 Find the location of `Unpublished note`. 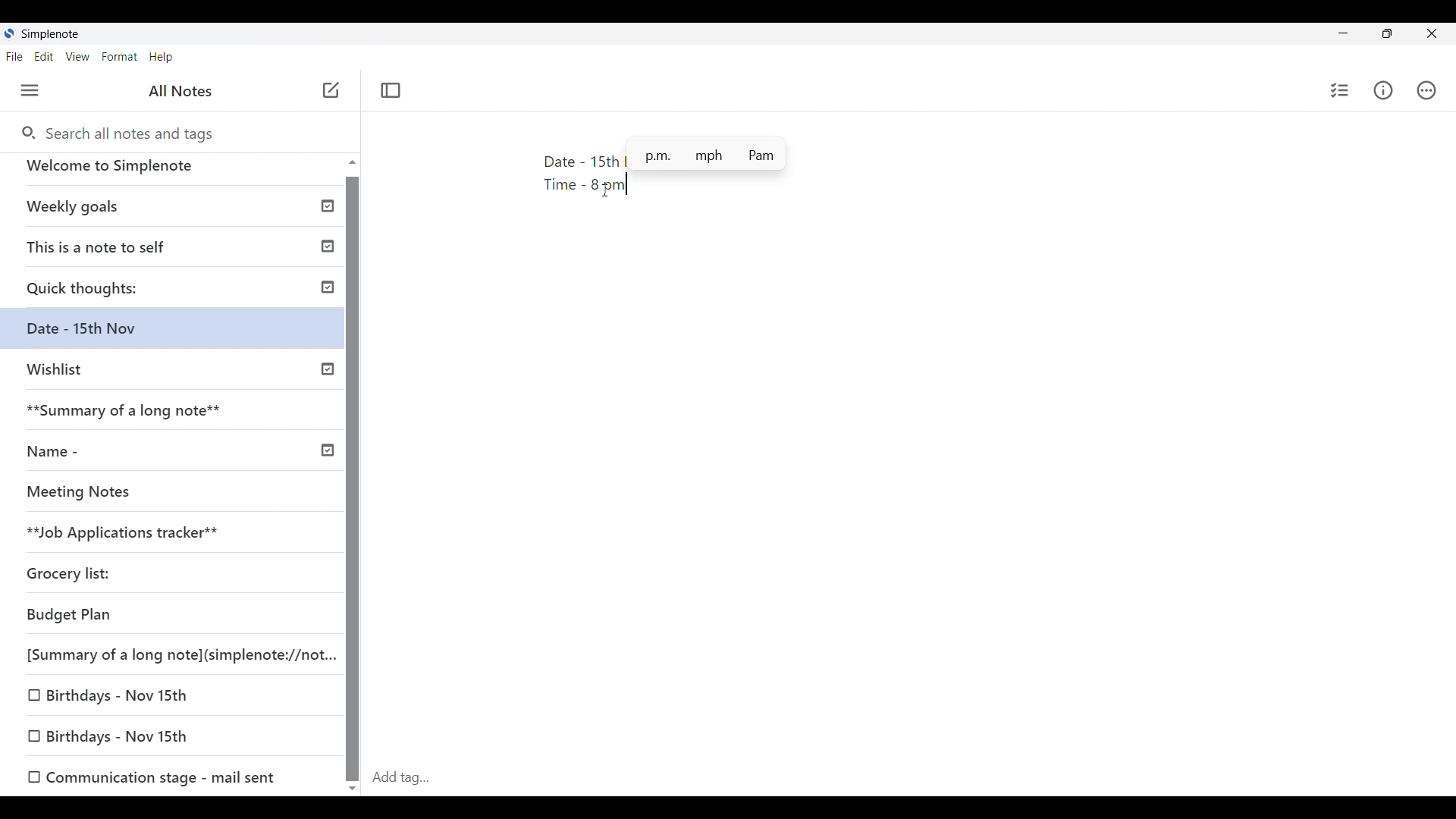

Unpublished note is located at coordinates (115, 737).